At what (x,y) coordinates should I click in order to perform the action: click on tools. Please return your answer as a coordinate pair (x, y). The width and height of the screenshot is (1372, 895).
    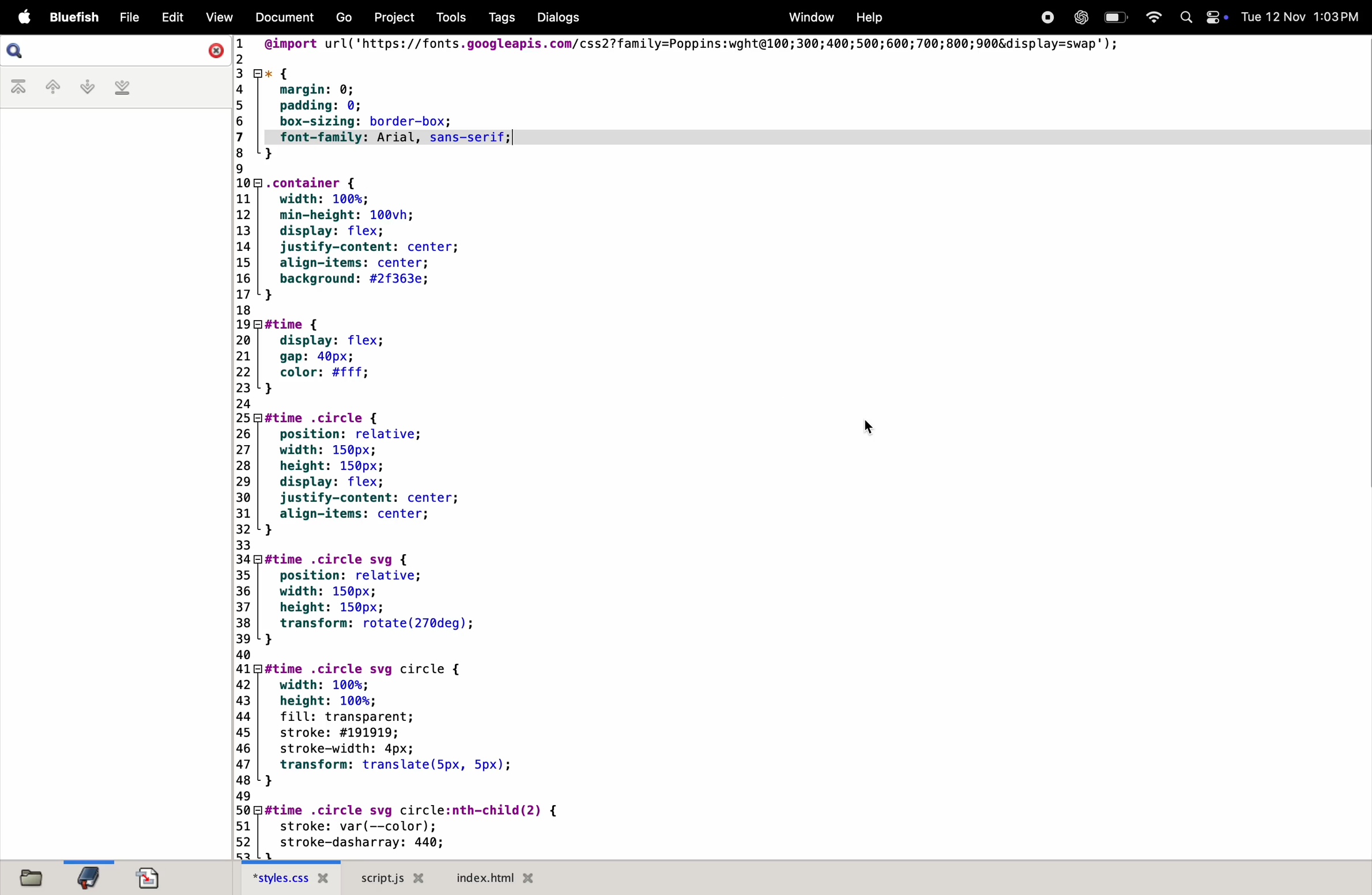
    Looking at the image, I should click on (448, 17).